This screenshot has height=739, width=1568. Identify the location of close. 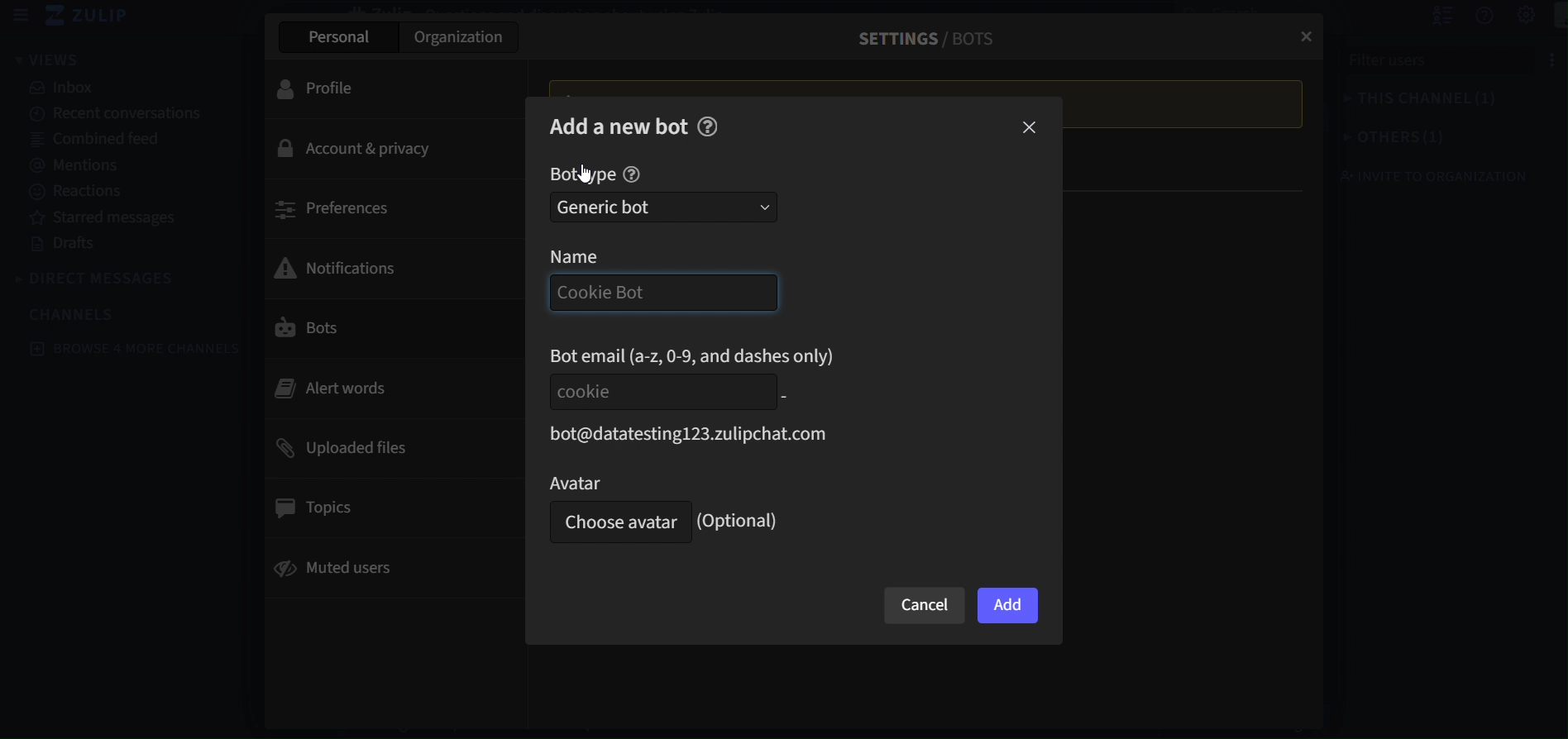
(1031, 129).